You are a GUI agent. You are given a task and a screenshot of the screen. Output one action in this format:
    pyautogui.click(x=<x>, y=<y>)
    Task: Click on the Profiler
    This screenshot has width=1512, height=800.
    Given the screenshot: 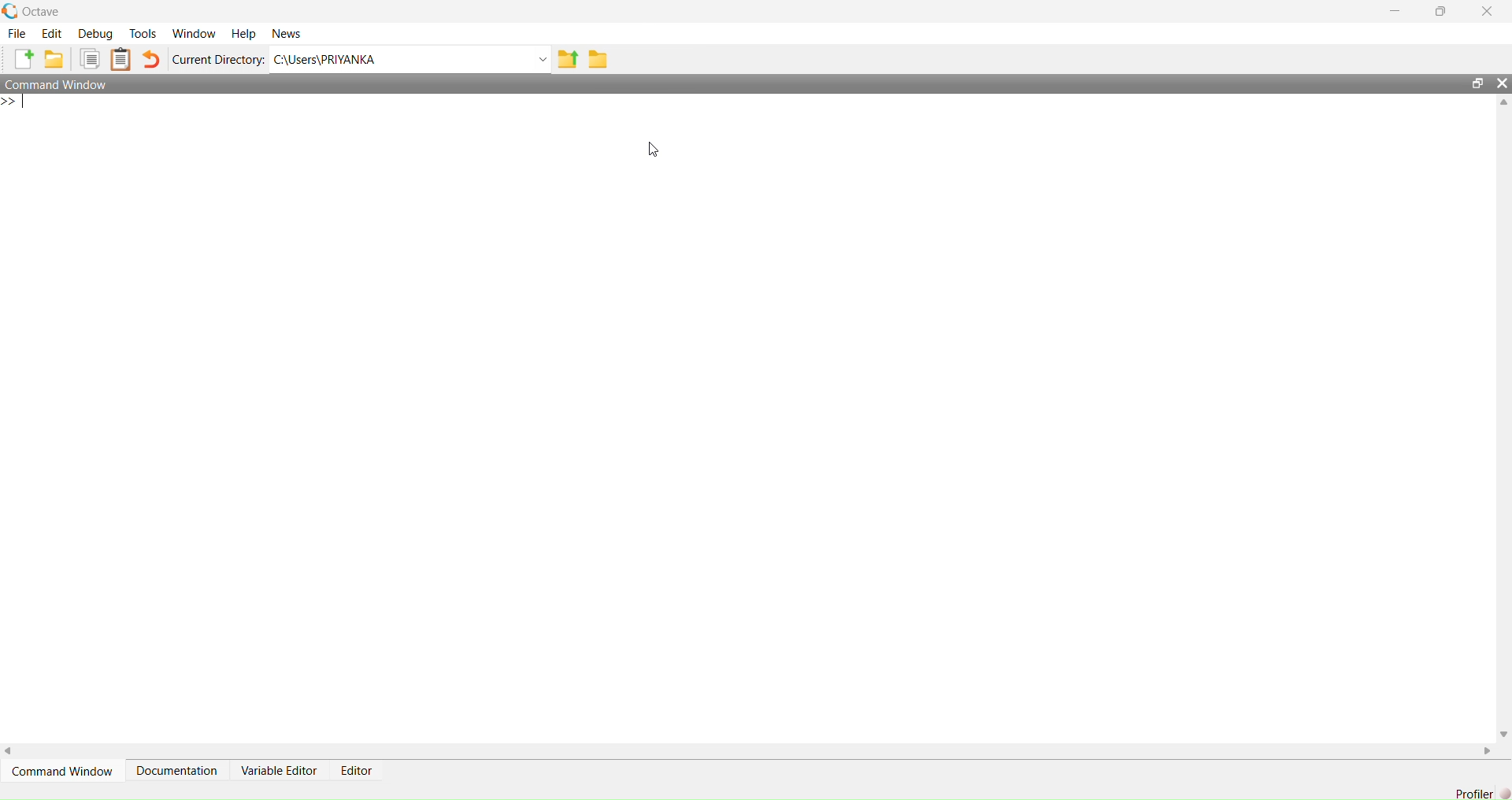 What is the action you would take?
    pyautogui.click(x=1474, y=793)
    